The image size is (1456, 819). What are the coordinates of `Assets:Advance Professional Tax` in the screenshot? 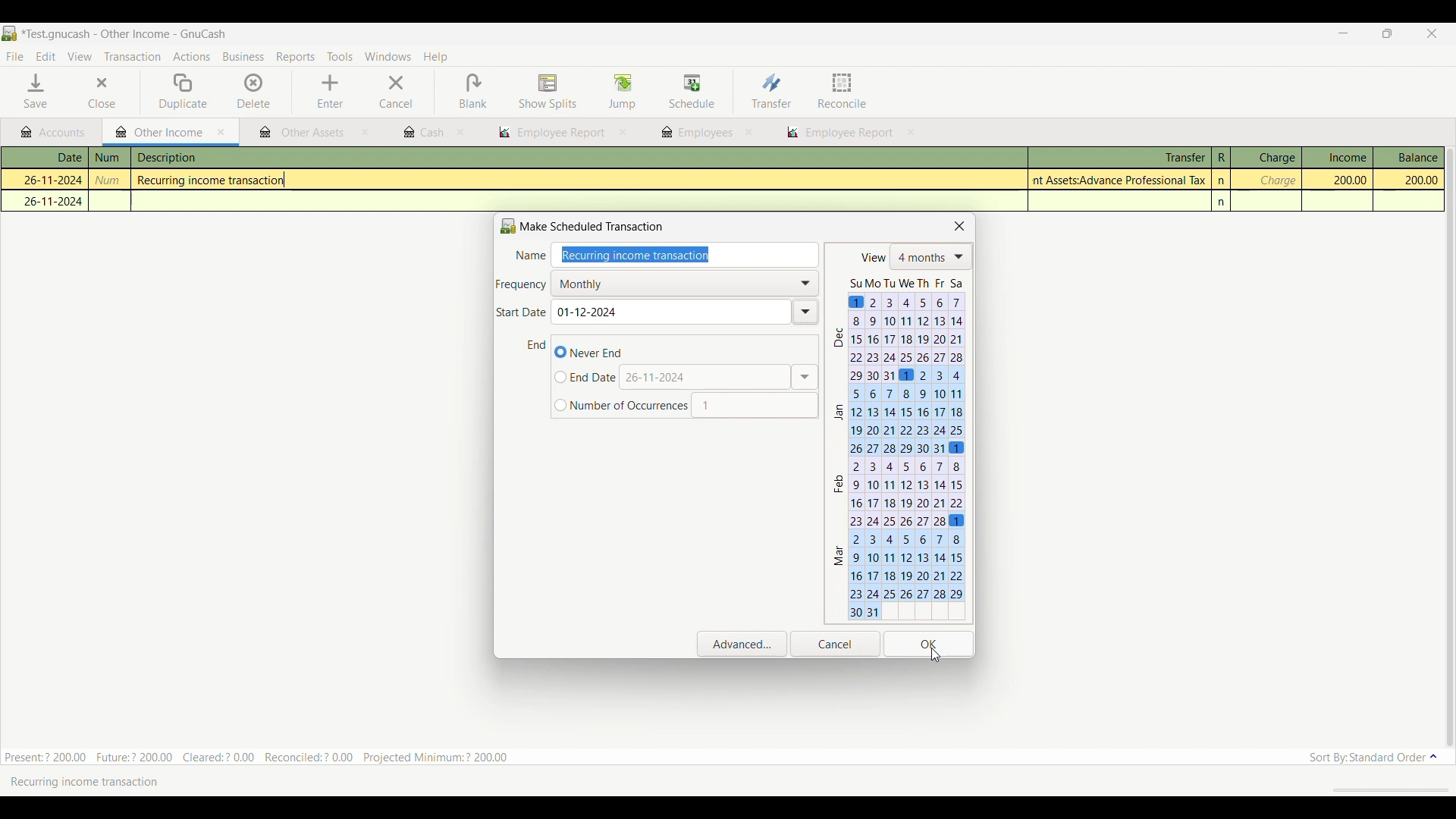 It's located at (1122, 180).